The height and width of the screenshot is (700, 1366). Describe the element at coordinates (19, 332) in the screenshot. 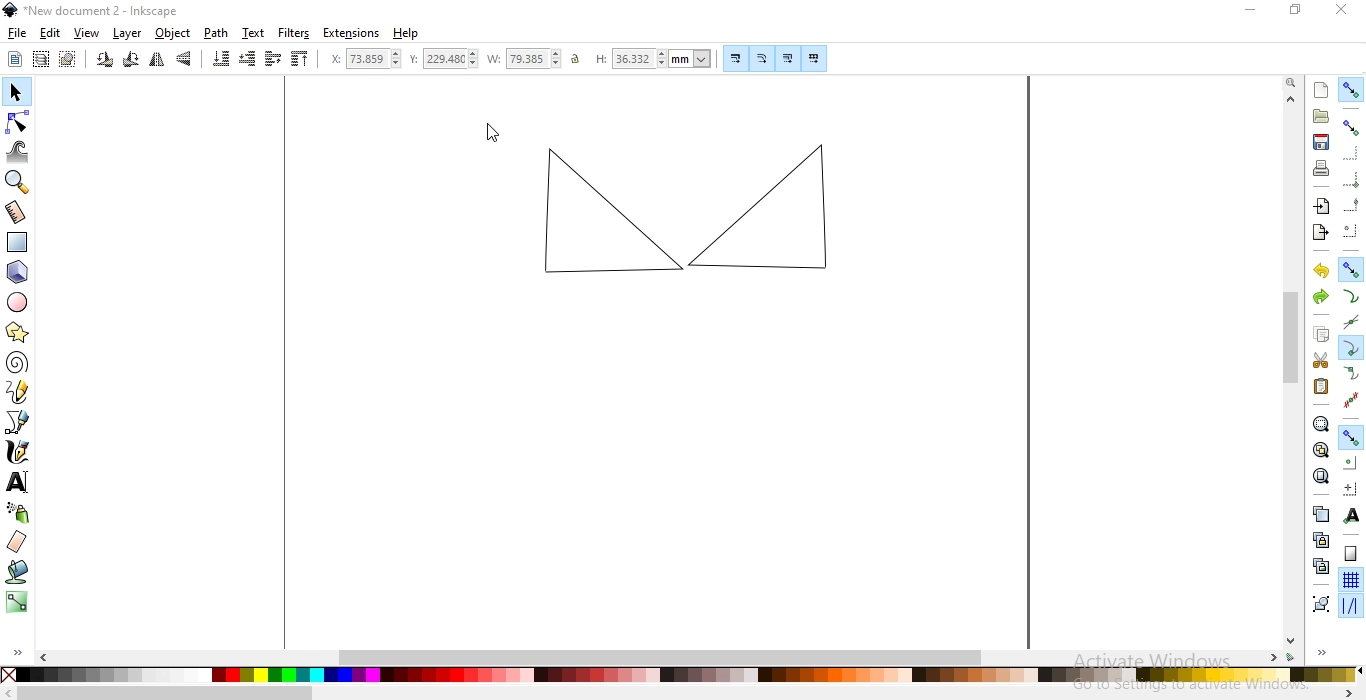

I see `create stars and polygons` at that location.